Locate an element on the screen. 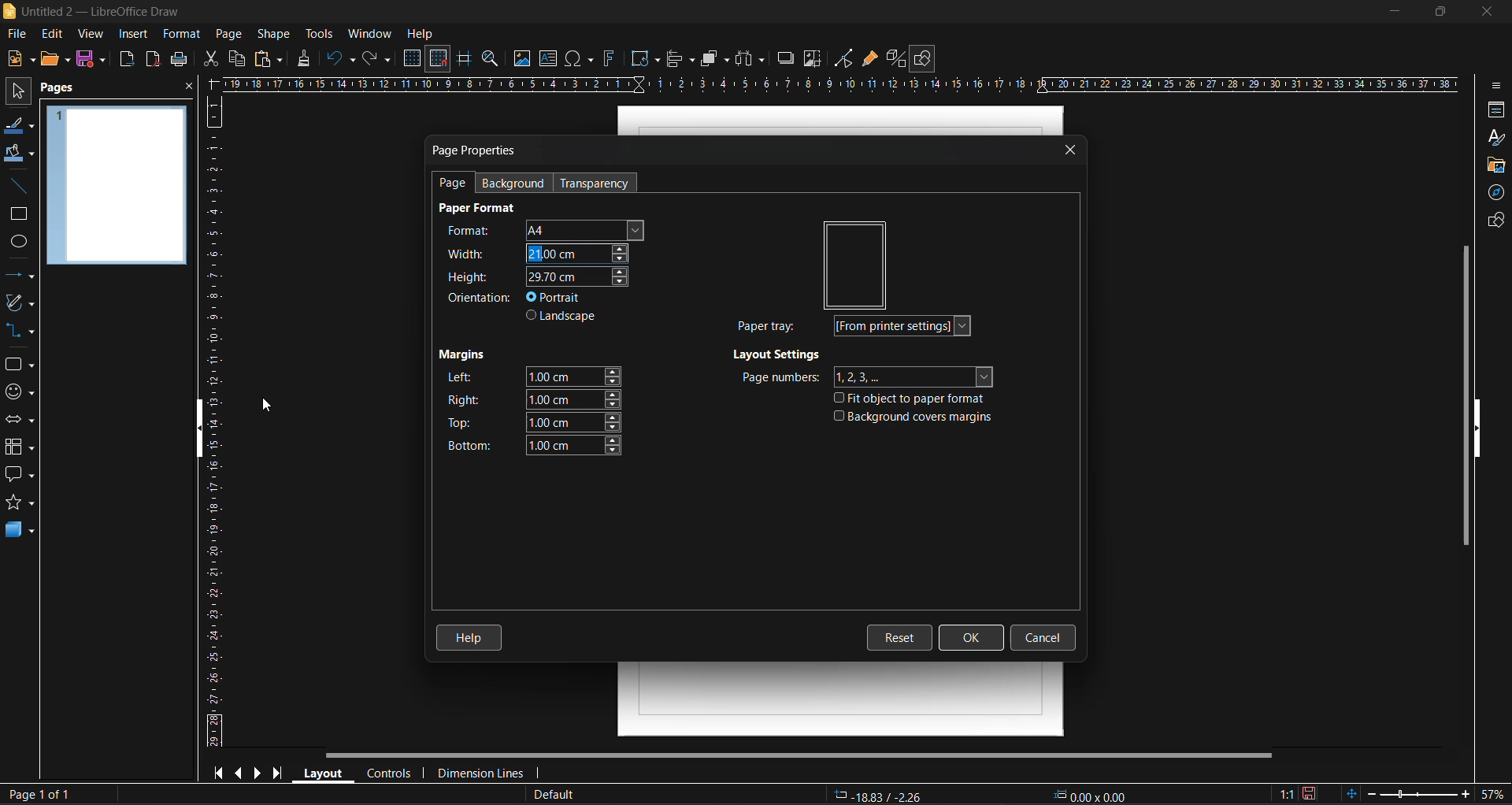 This screenshot has width=1512, height=805. landscape is located at coordinates (565, 318).